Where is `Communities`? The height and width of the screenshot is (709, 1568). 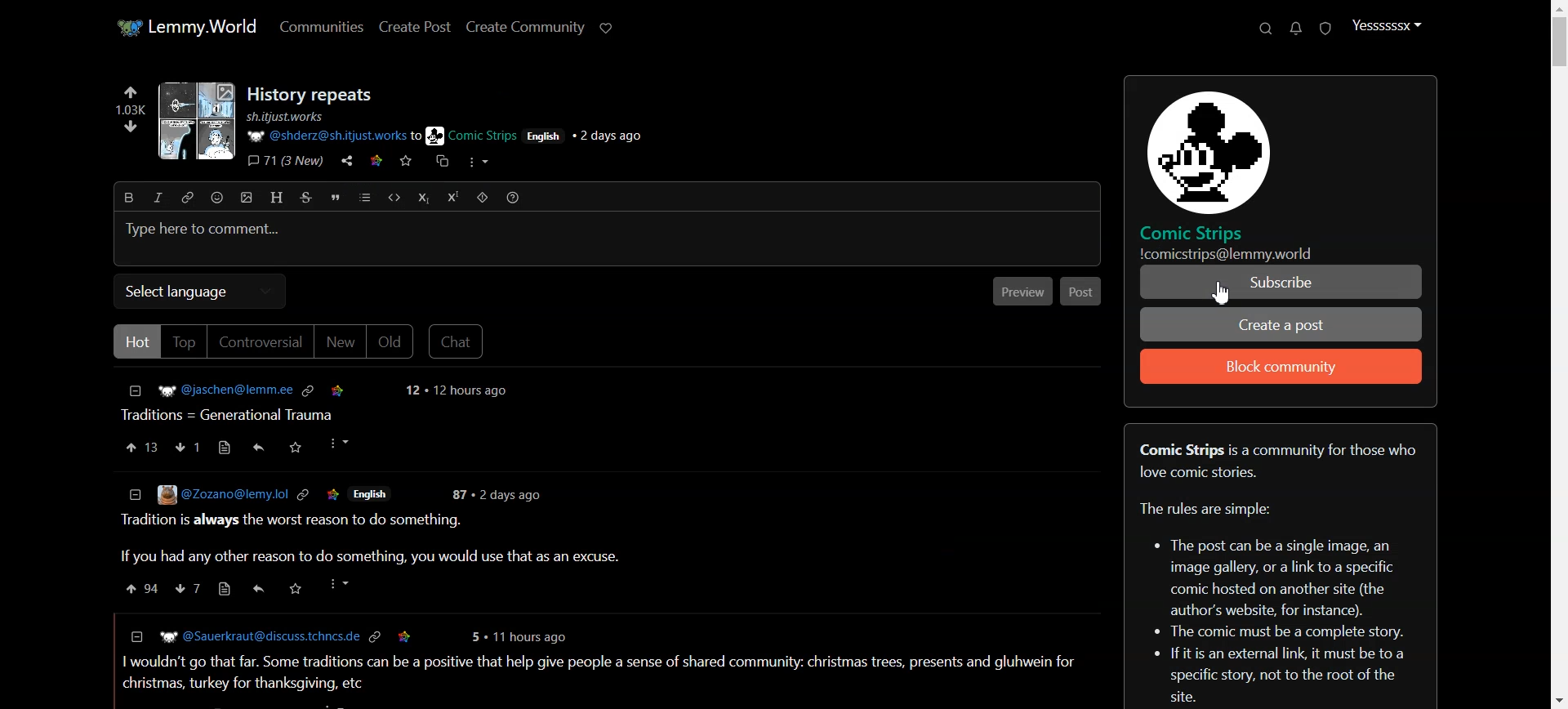 Communities is located at coordinates (321, 26).